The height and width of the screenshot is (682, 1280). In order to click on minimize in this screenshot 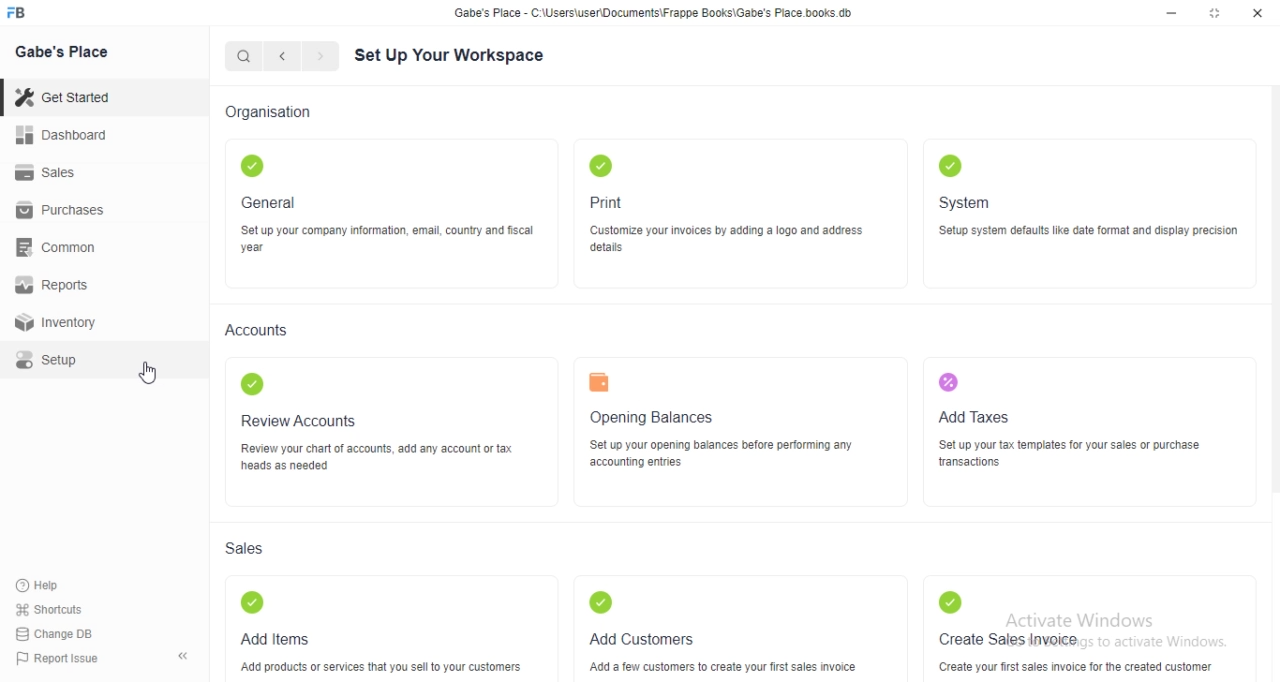, I will do `click(1169, 14)`.